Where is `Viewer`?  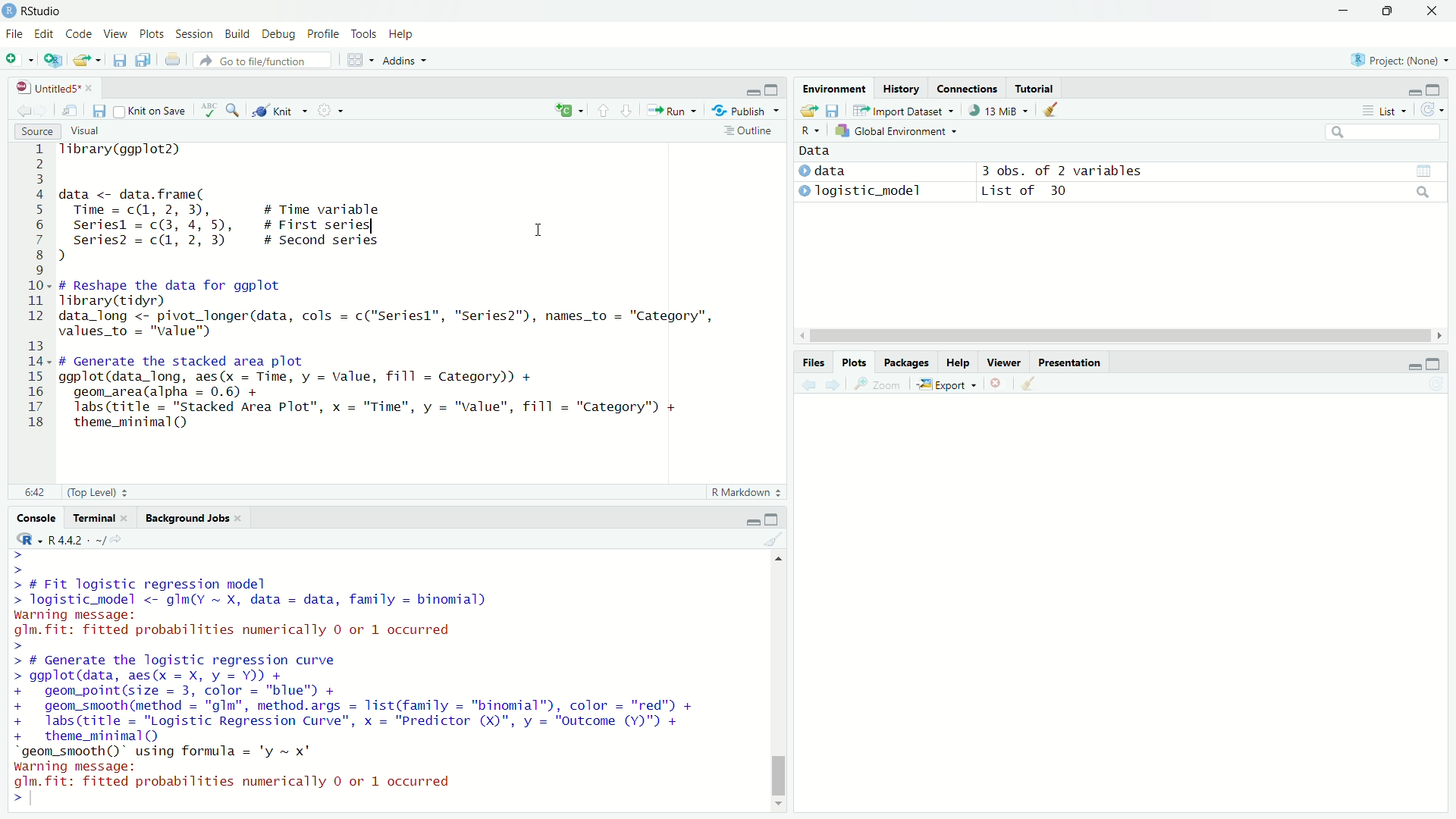
Viewer is located at coordinates (1003, 362).